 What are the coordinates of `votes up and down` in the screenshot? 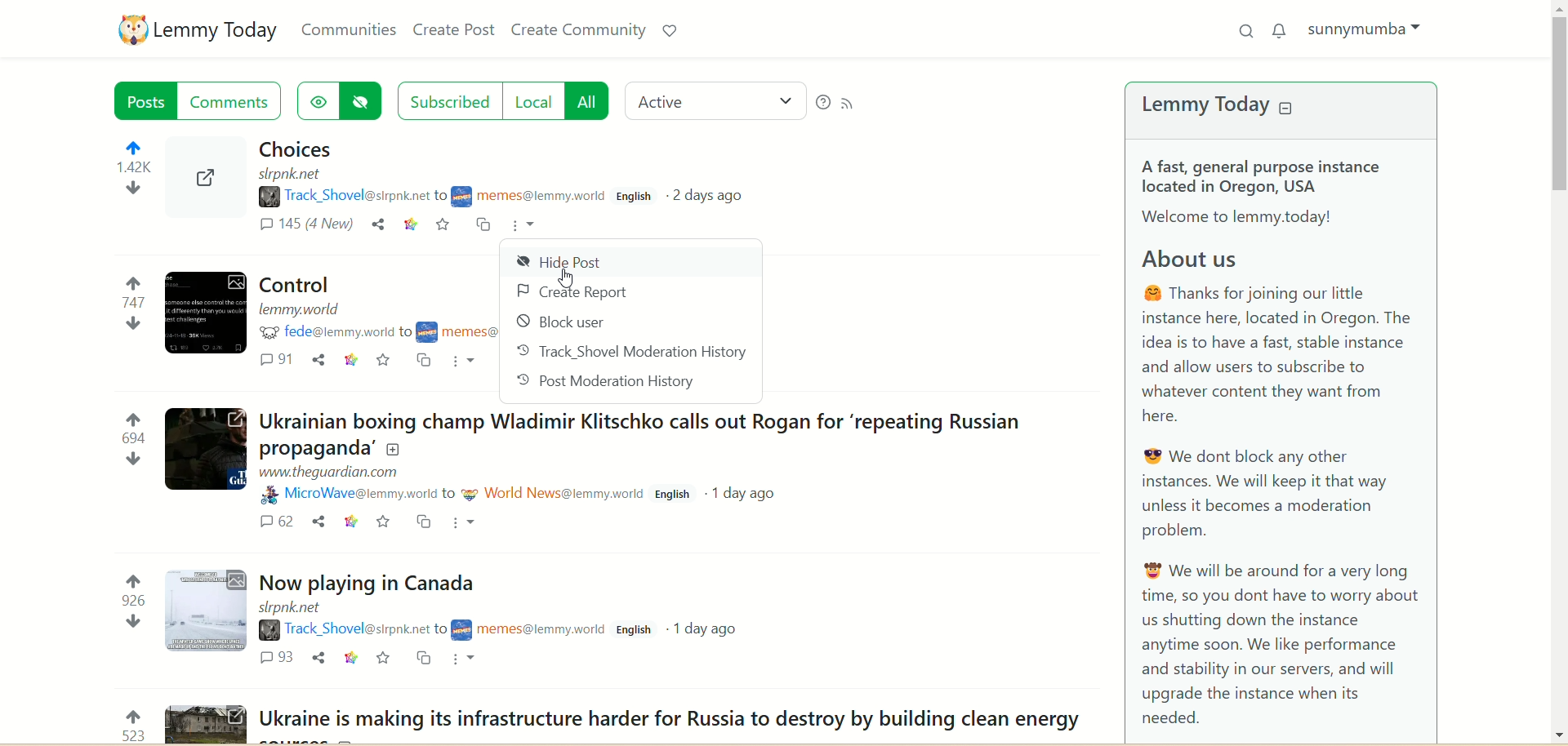 It's located at (118, 443).